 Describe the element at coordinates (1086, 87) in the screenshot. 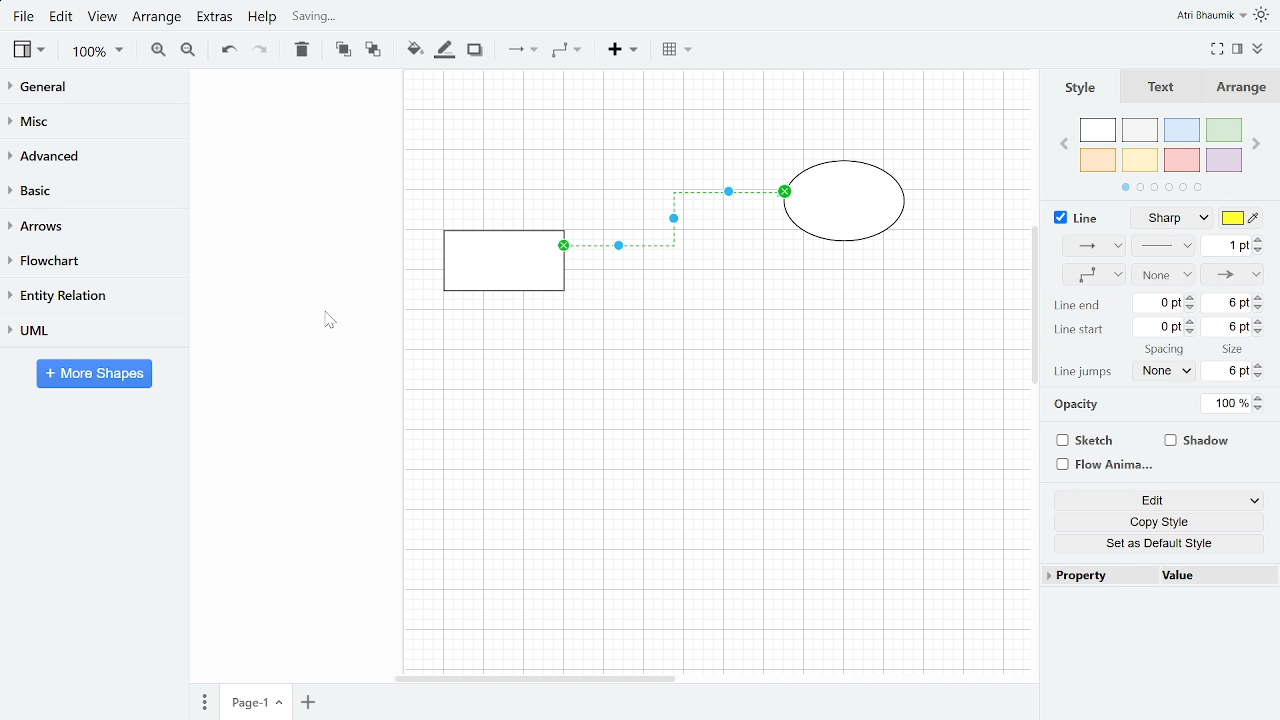

I see `Style` at that location.